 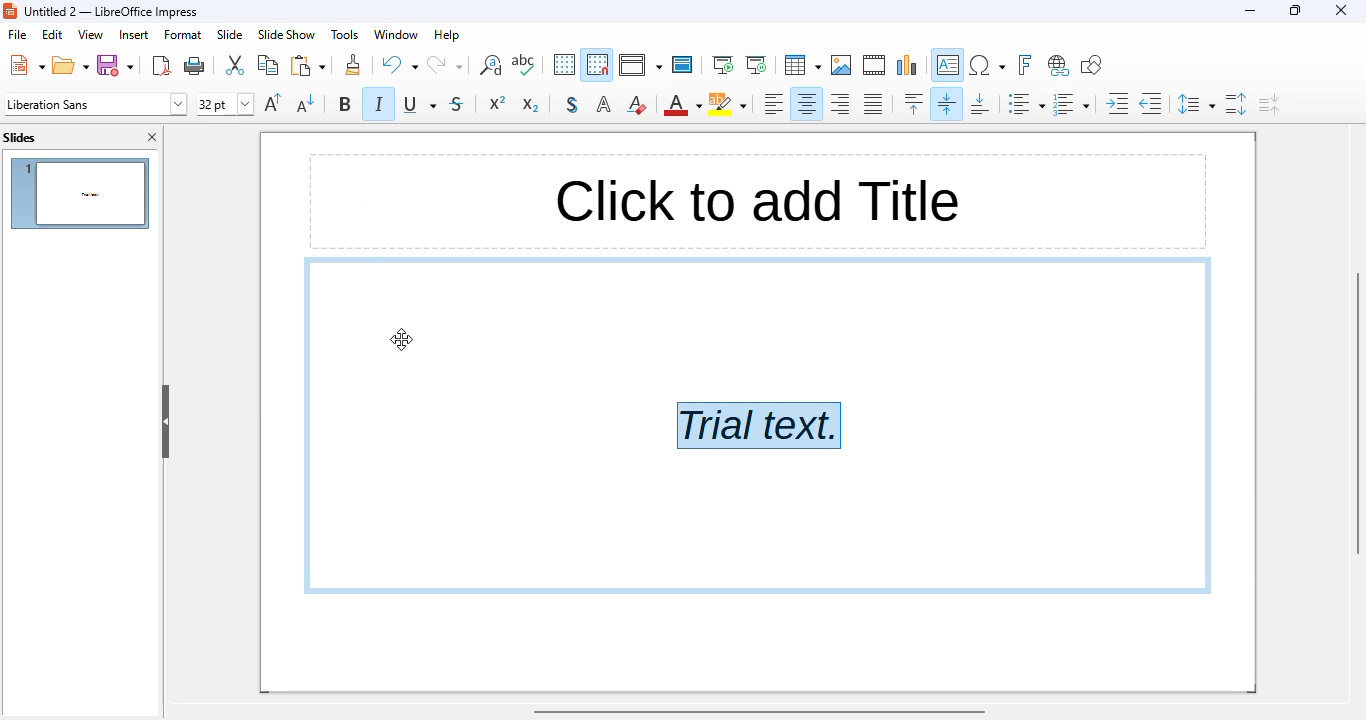 I want to click on view, so click(x=91, y=34).